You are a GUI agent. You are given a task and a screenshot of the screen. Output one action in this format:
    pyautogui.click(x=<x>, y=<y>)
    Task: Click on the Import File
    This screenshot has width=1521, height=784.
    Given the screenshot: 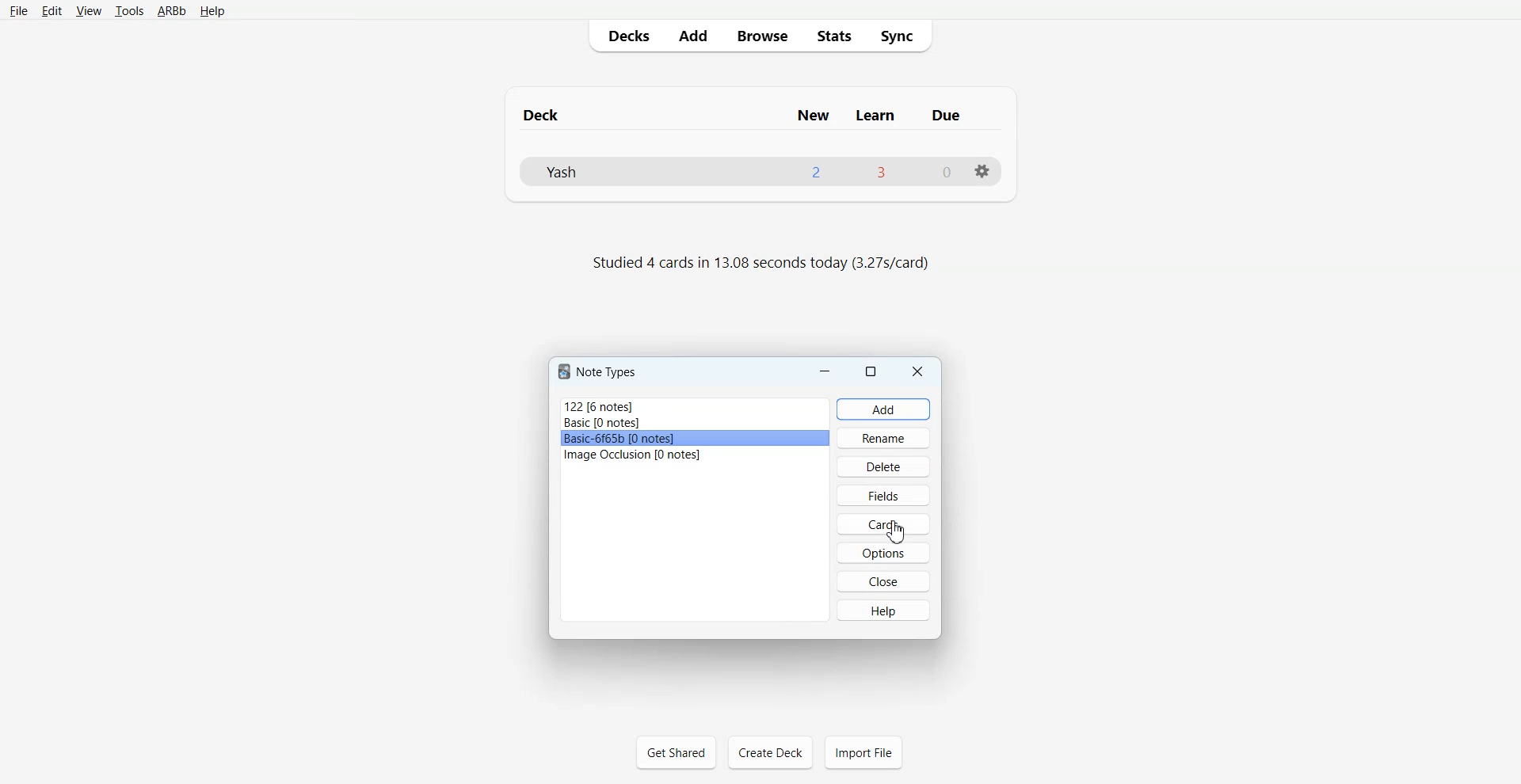 What is the action you would take?
    pyautogui.click(x=863, y=752)
    